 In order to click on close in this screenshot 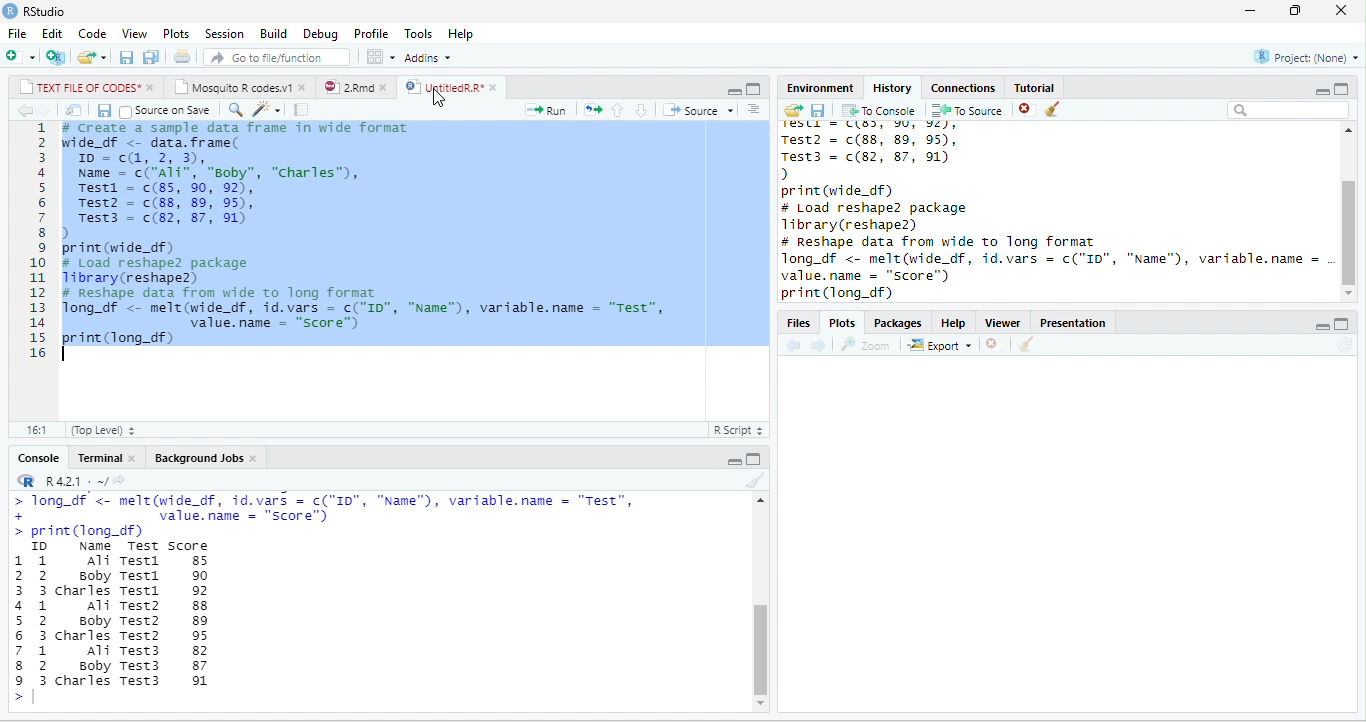, I will do `click(304, 86)`.